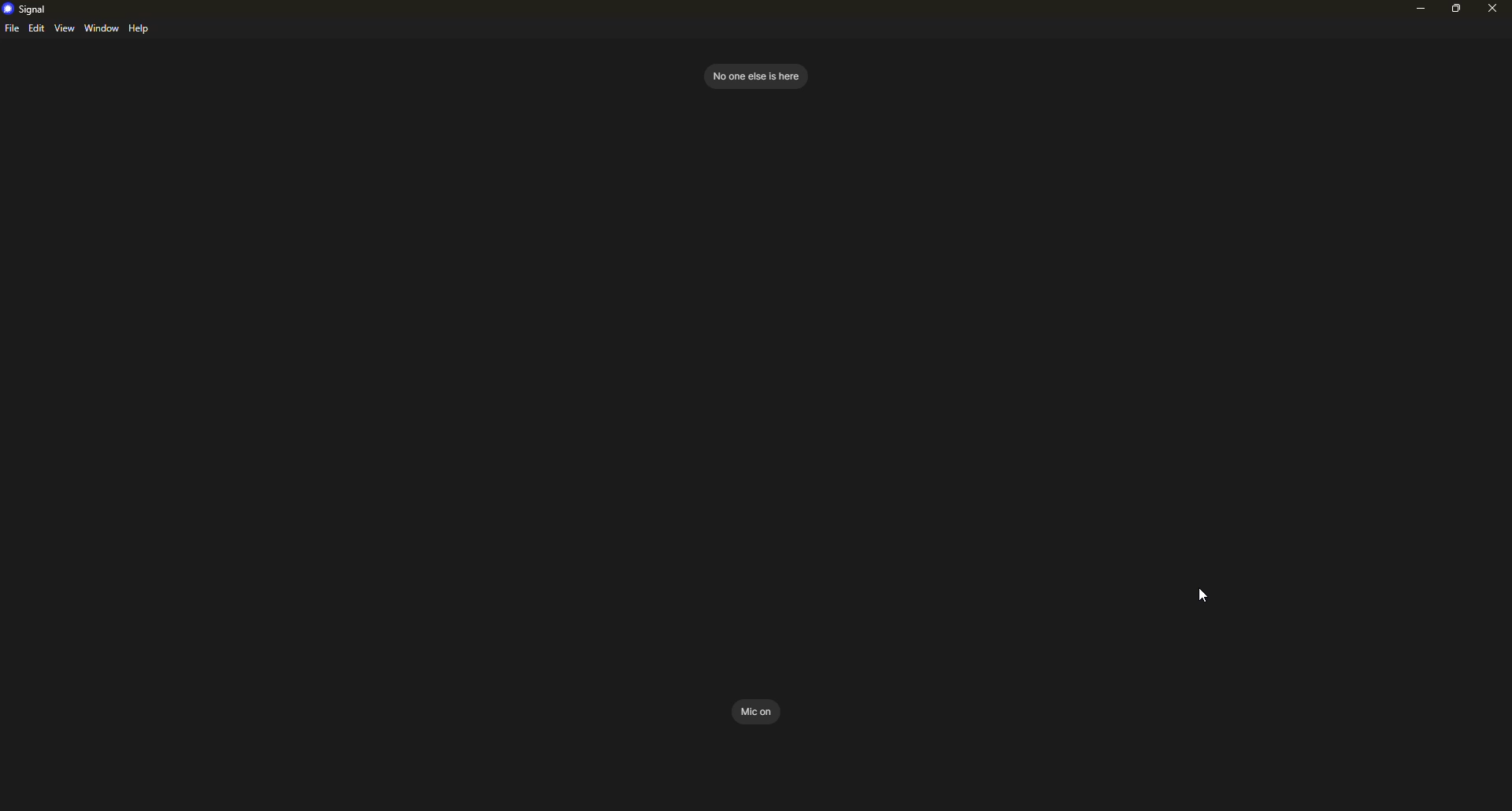 The height and width of the screenshot is (811, 1512). Describe the element at coordinates (1416, 11) in the screenshot. I see `minimize` at that location.